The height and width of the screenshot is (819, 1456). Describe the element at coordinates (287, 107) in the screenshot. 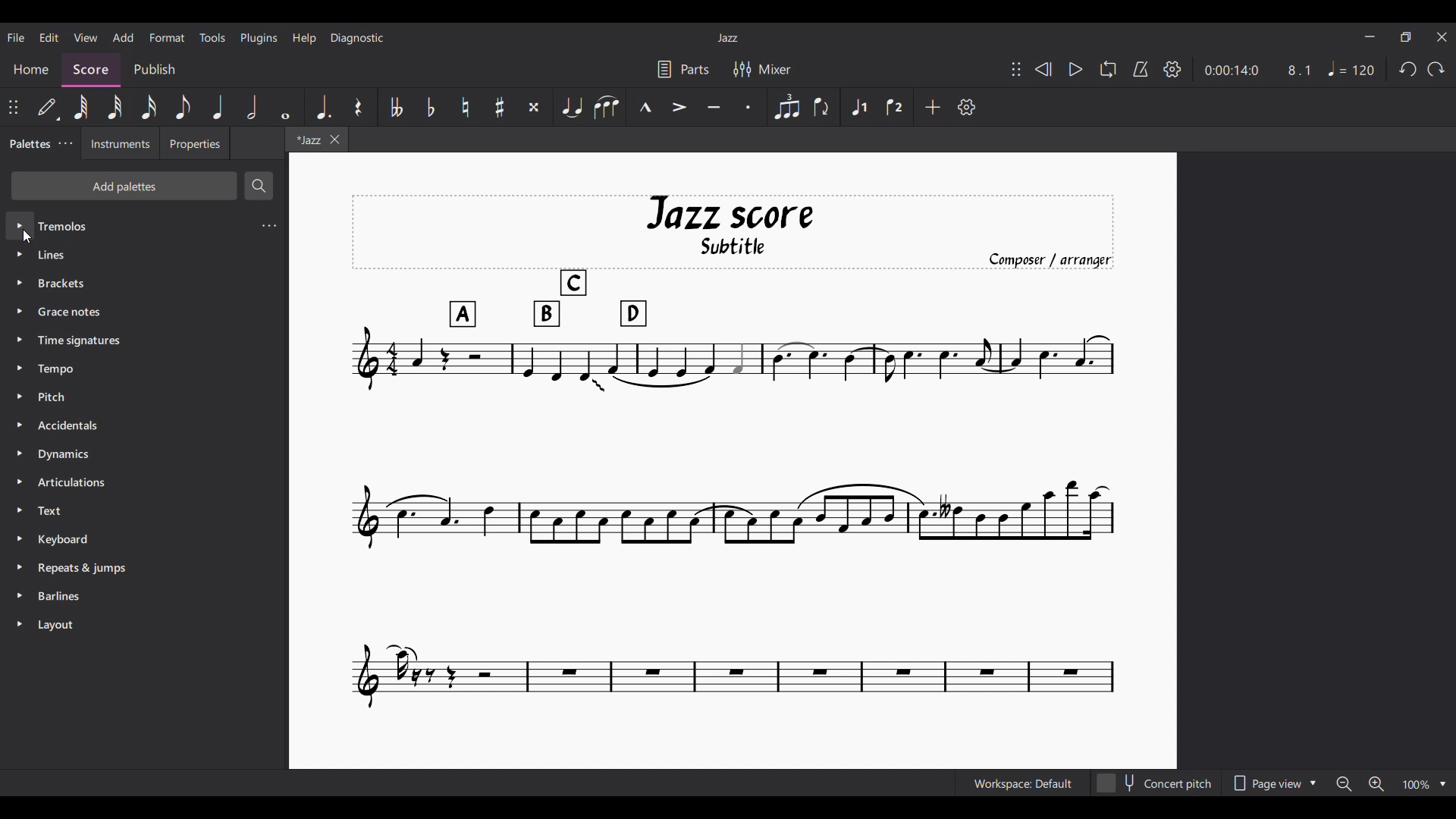

I see `Whole note` at that location.